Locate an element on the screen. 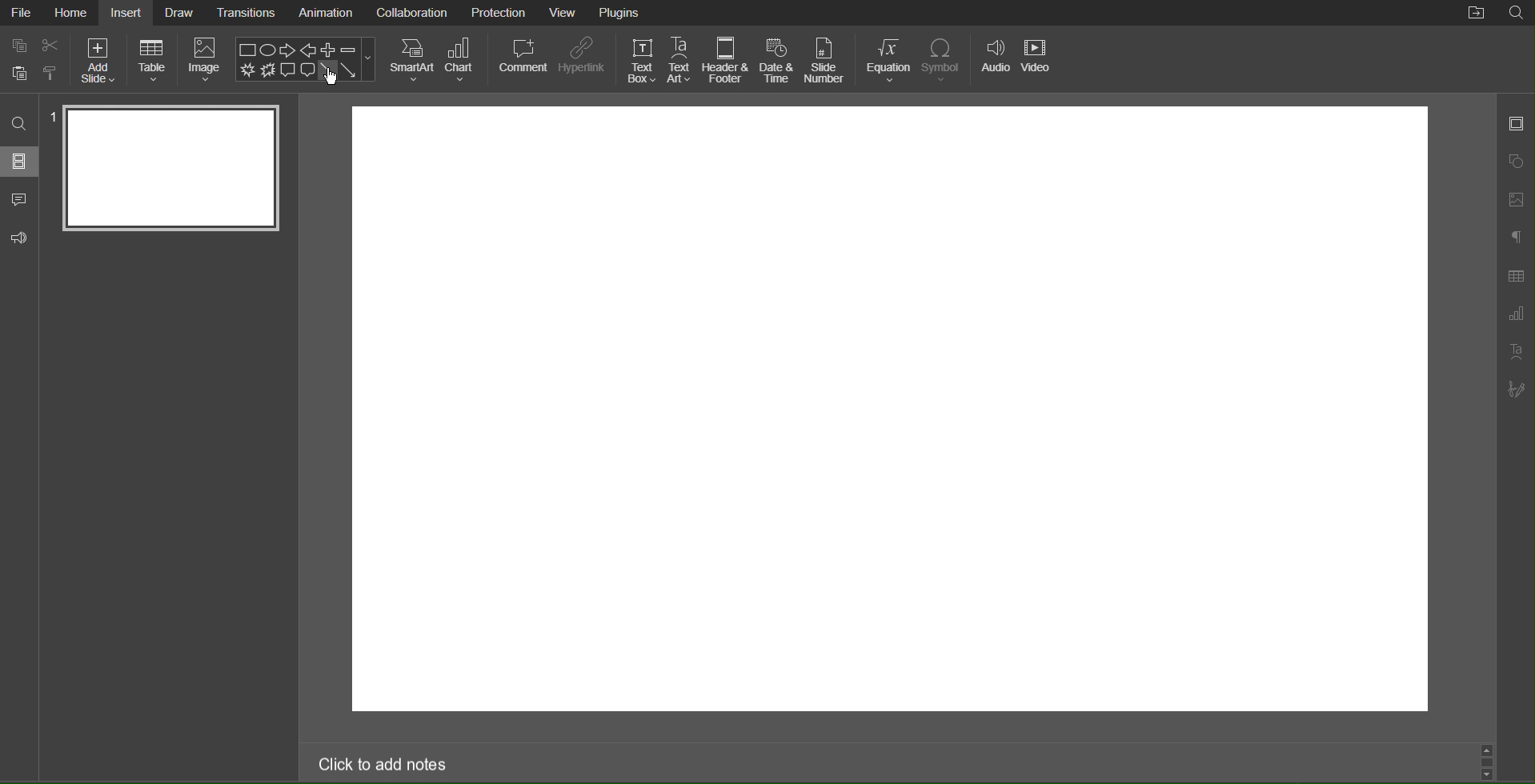  Slides is located at coordinates (21, 161).